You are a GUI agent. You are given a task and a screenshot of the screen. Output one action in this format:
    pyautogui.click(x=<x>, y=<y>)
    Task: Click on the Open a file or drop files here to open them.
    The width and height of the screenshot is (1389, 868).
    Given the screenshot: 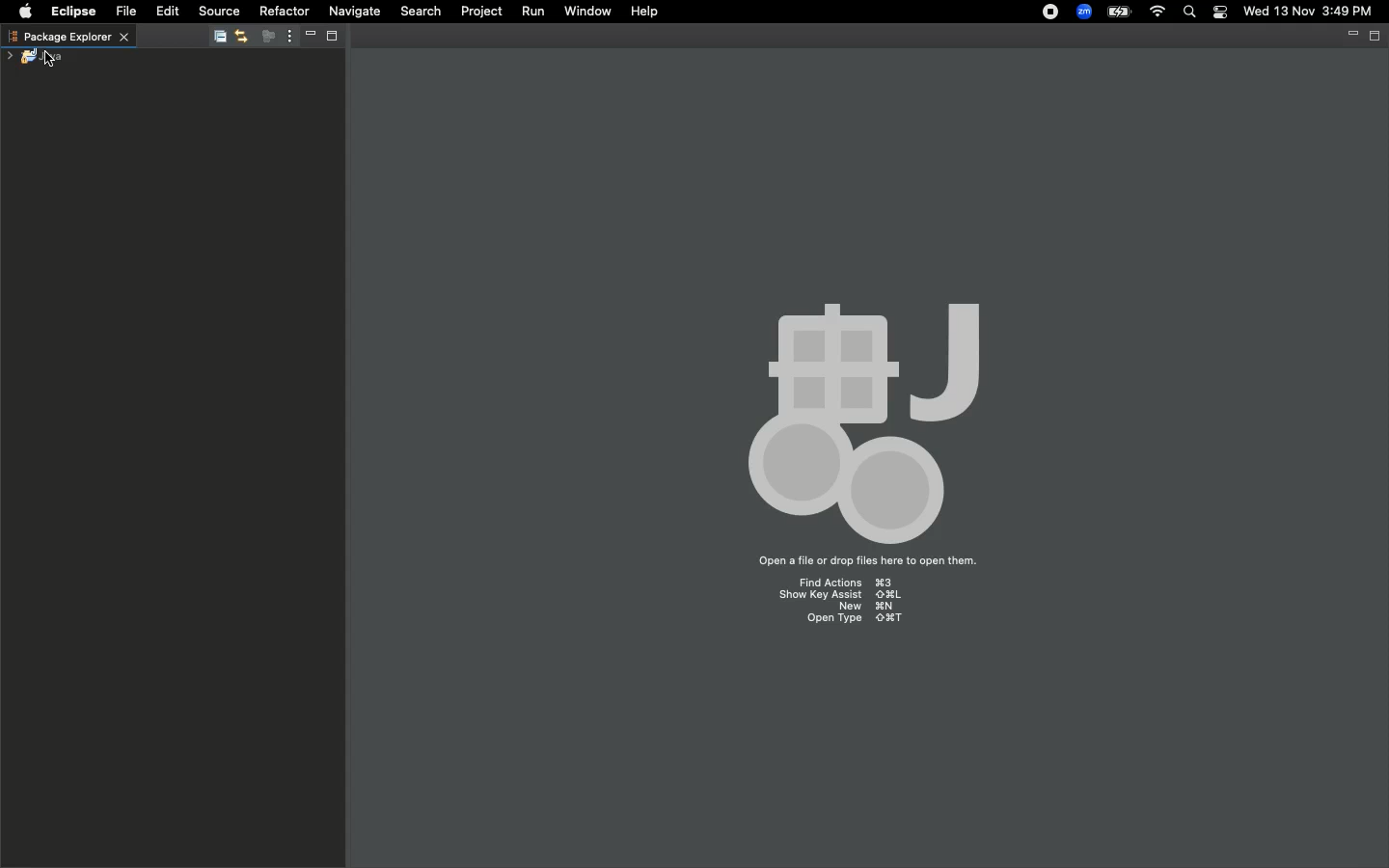 What is the action you would take?
    pyautogui.click(x=867, y=563)
    